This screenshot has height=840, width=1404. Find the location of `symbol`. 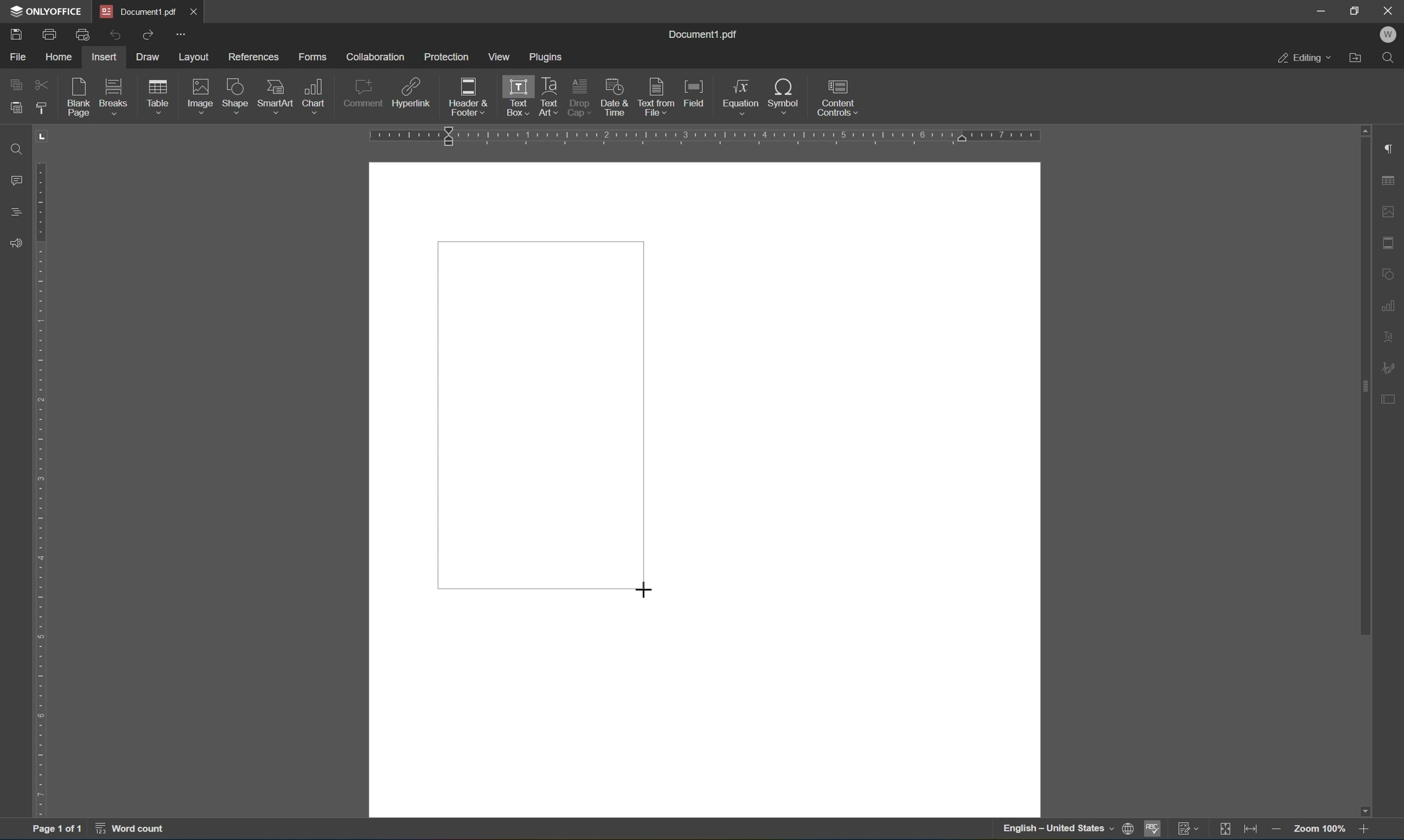

symbol is located at coordinates (787, 98).